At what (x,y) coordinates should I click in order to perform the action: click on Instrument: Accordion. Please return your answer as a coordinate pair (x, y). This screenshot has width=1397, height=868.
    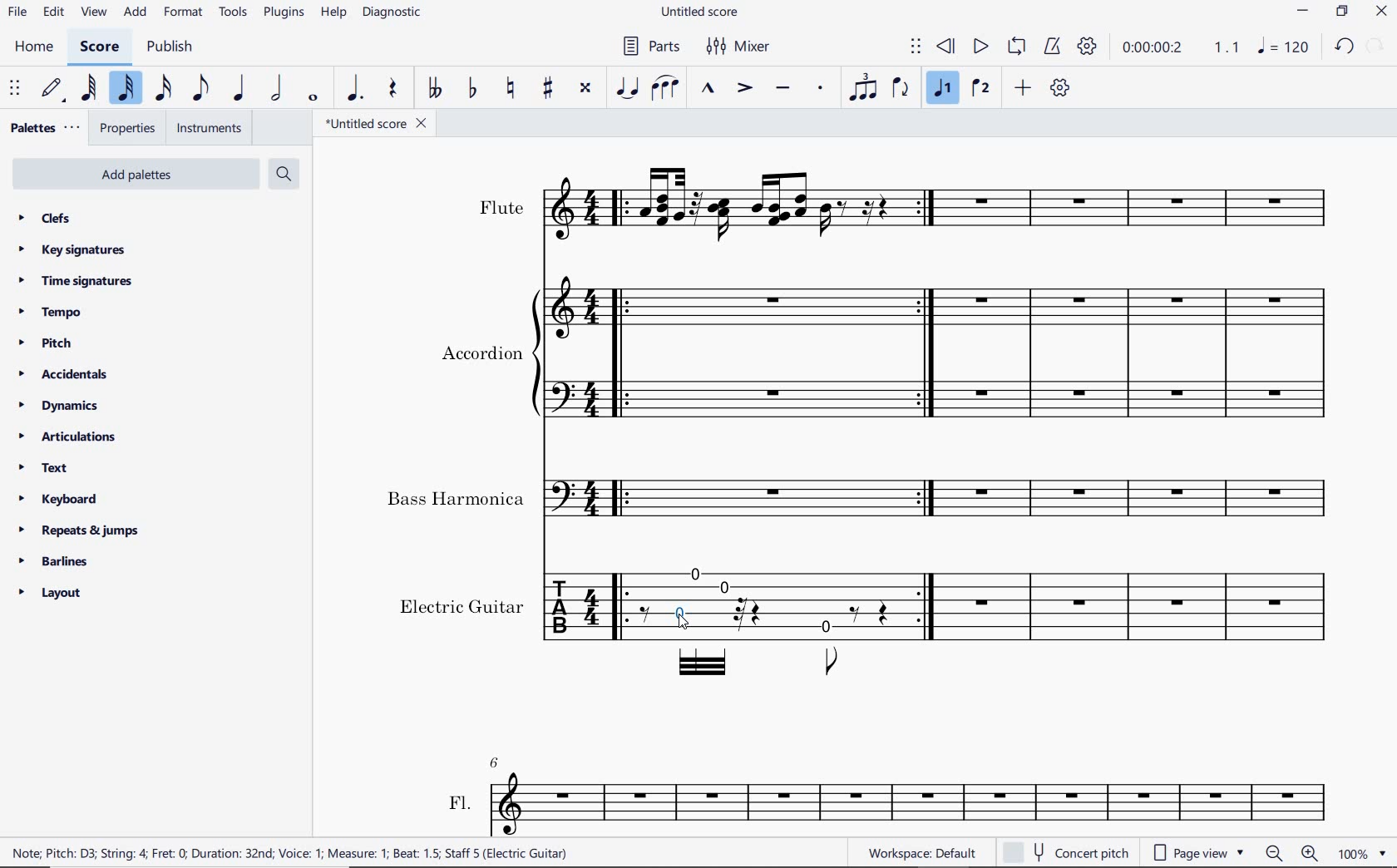
    Looking at the image, I should click on (884, 356).